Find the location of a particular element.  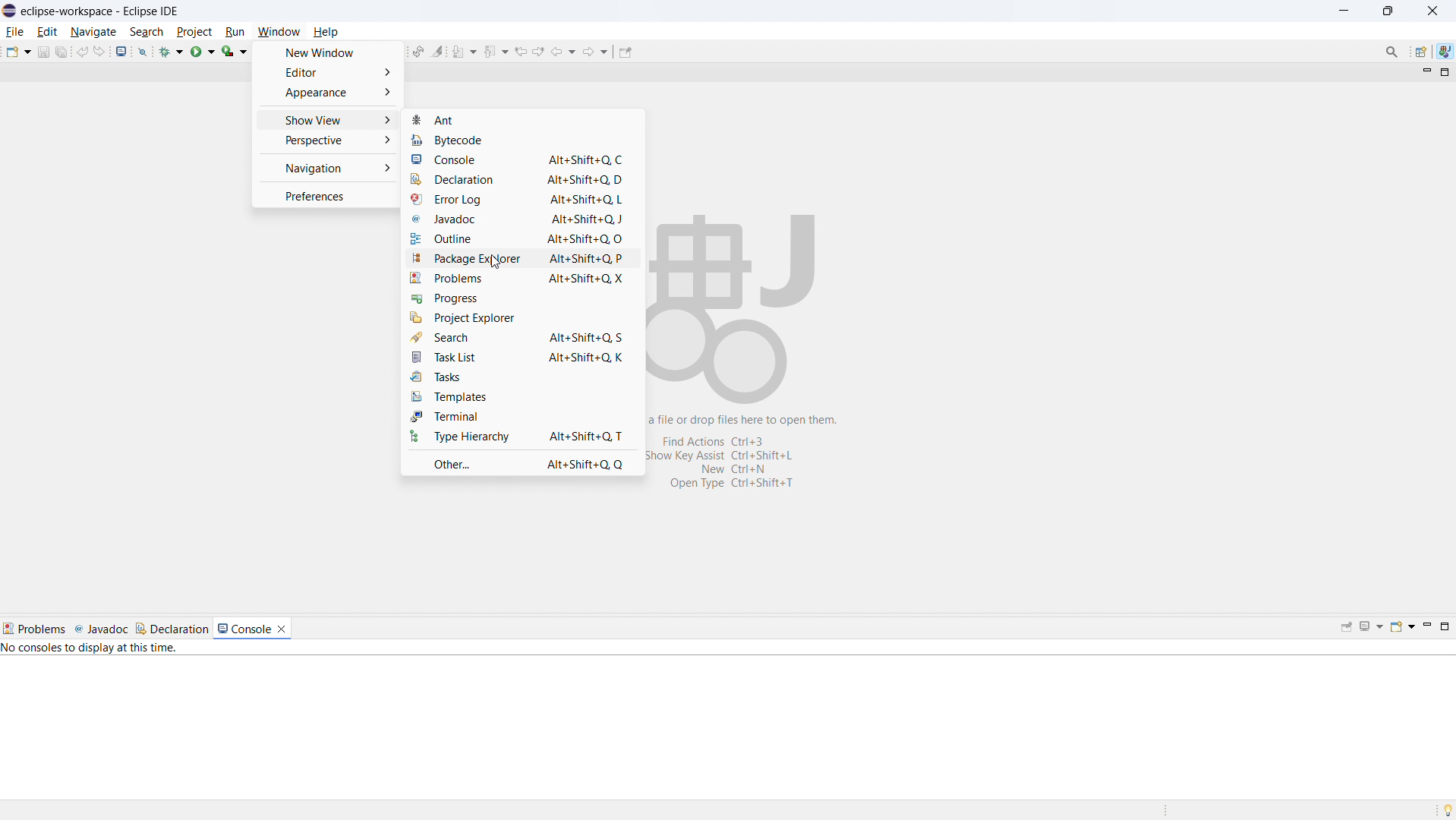

save is located at coordinates (44, 52).